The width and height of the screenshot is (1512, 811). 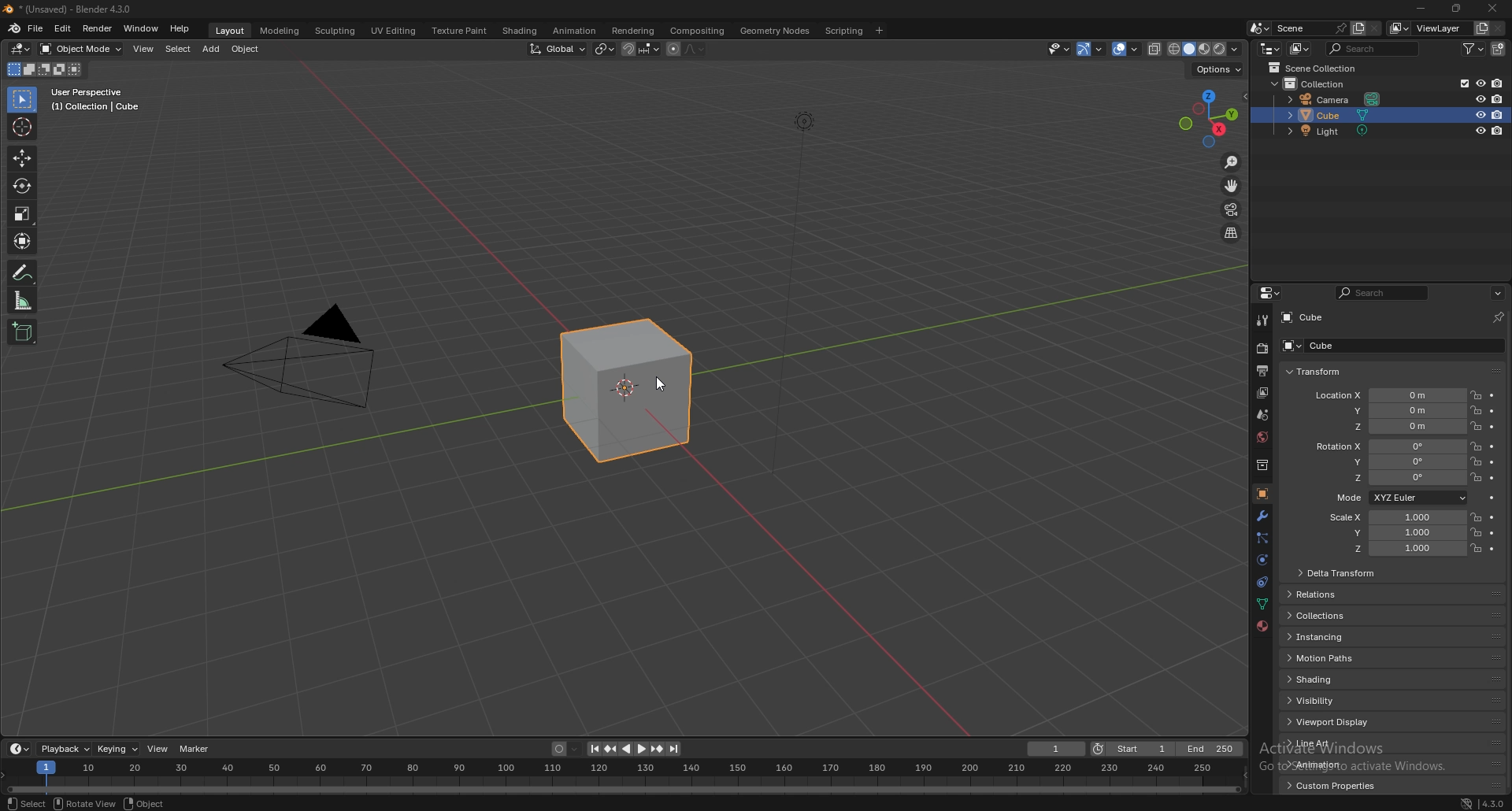 What do you see at coordinates (1260, 28) in the screenshot?
I see `browse scene` at bounding box center [1260, 28].